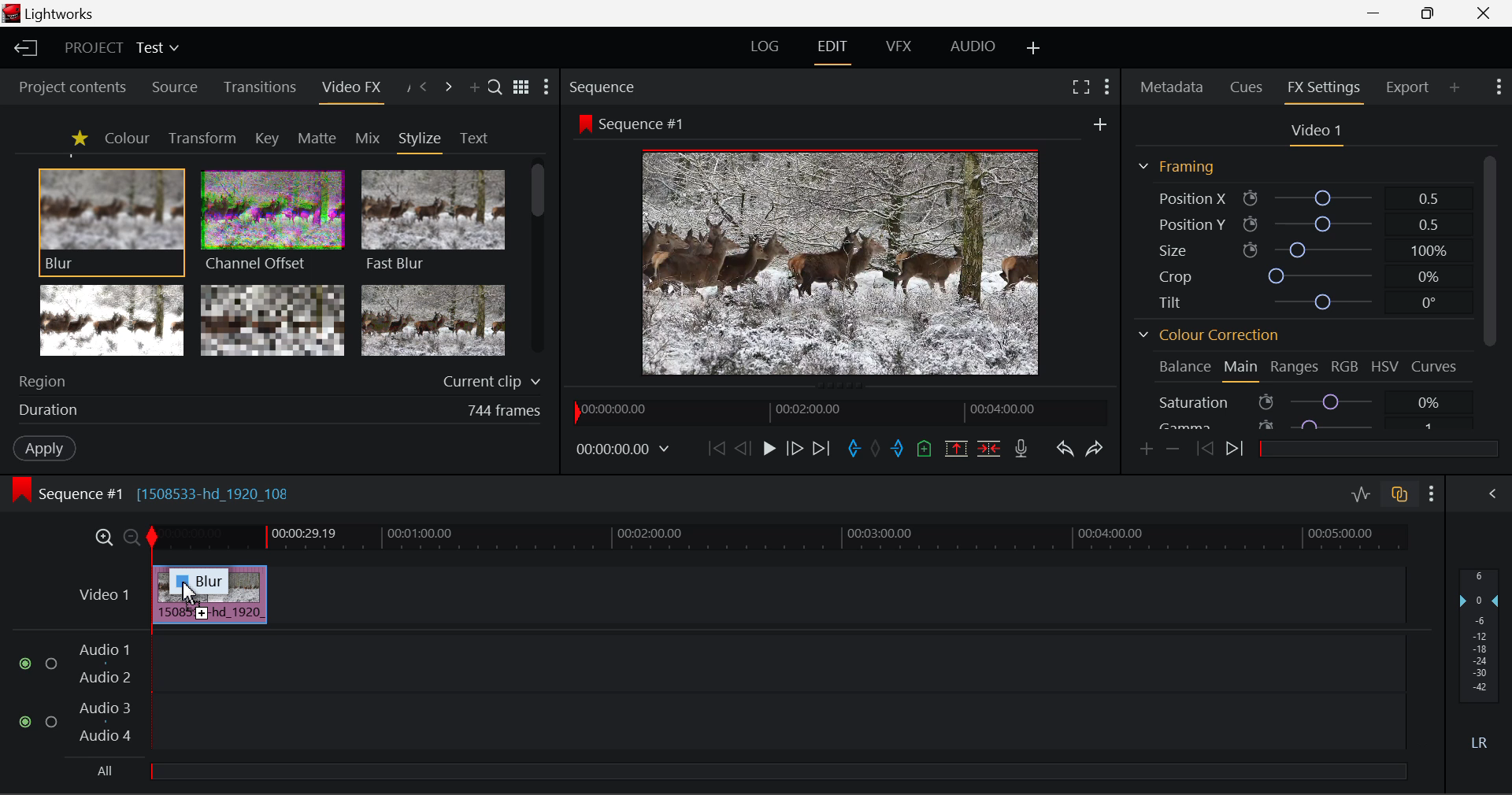 The width and height of the screenshot is (1512, 795). Describe the element at coordinates (624, 448) in the screenshot. I see `Frame Time` at that location.